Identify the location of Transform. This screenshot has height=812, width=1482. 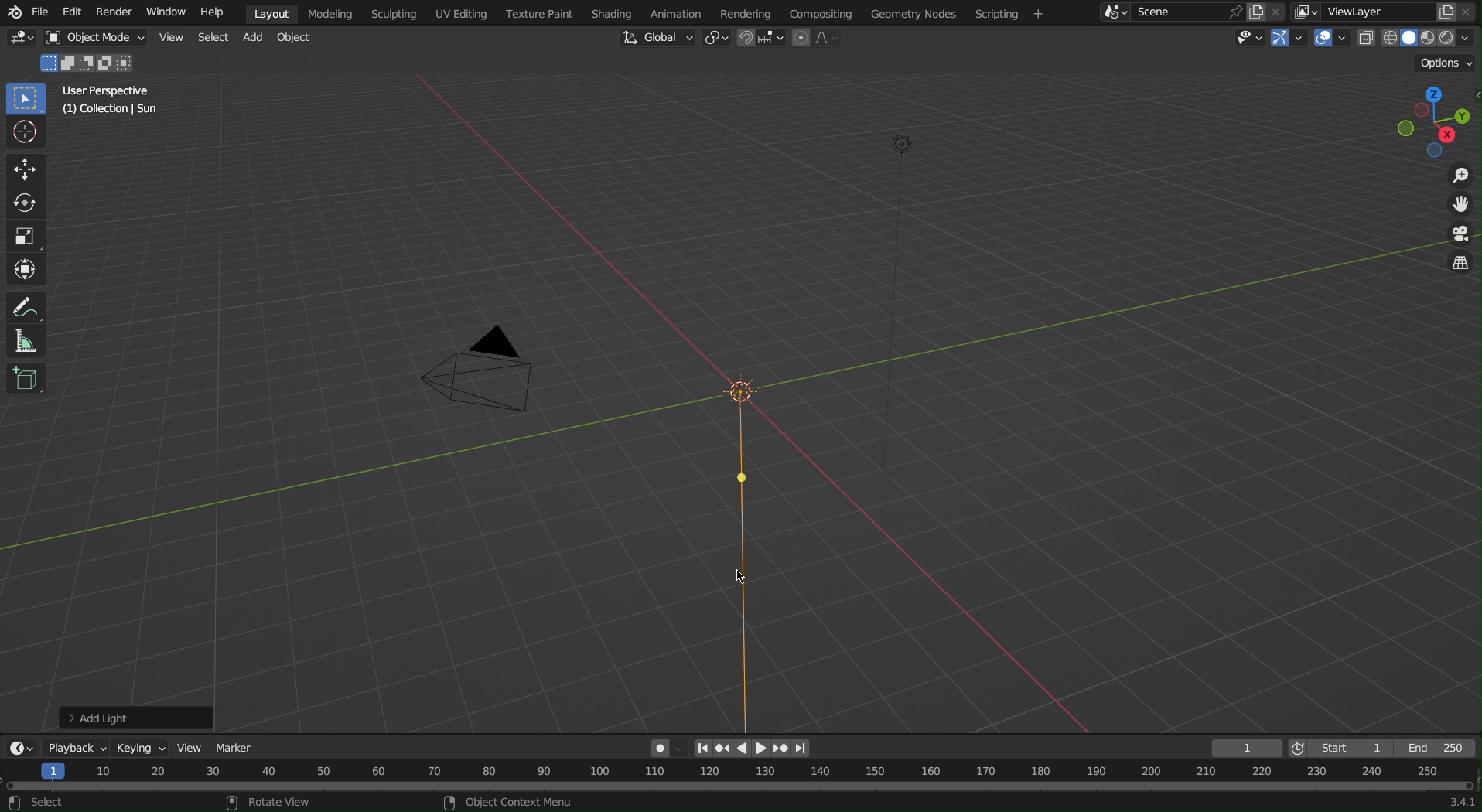
(28, 270).